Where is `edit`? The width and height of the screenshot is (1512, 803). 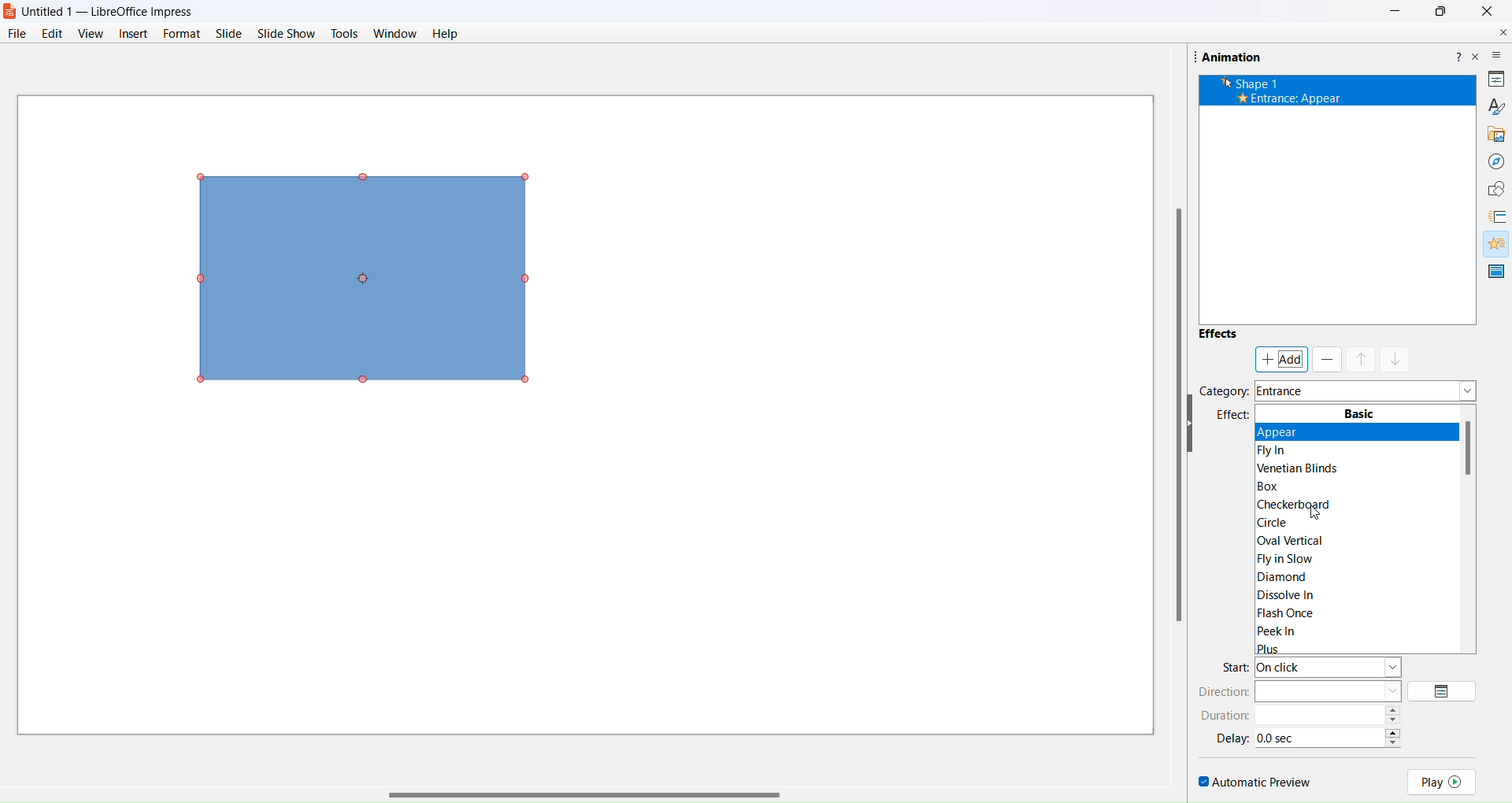
edit is located at coordinates (54, 32).